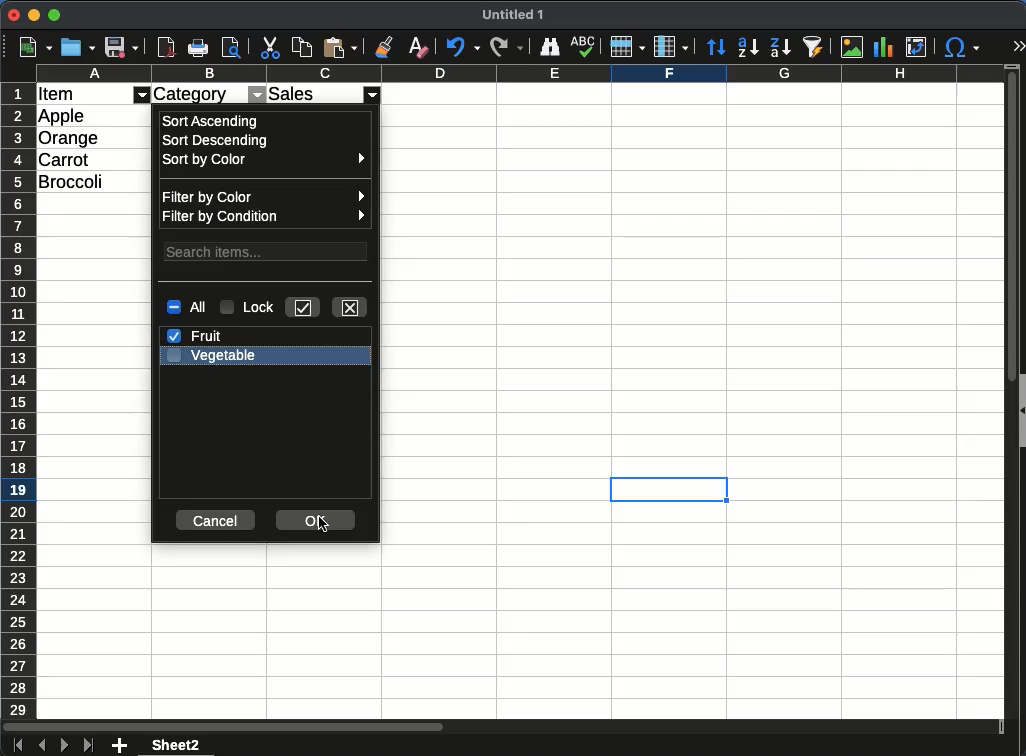 The width and height of the screenshot is (1026, 756). Describe the element at coordinates (34, 15) in the screenshot. I see `minimize` at that location.